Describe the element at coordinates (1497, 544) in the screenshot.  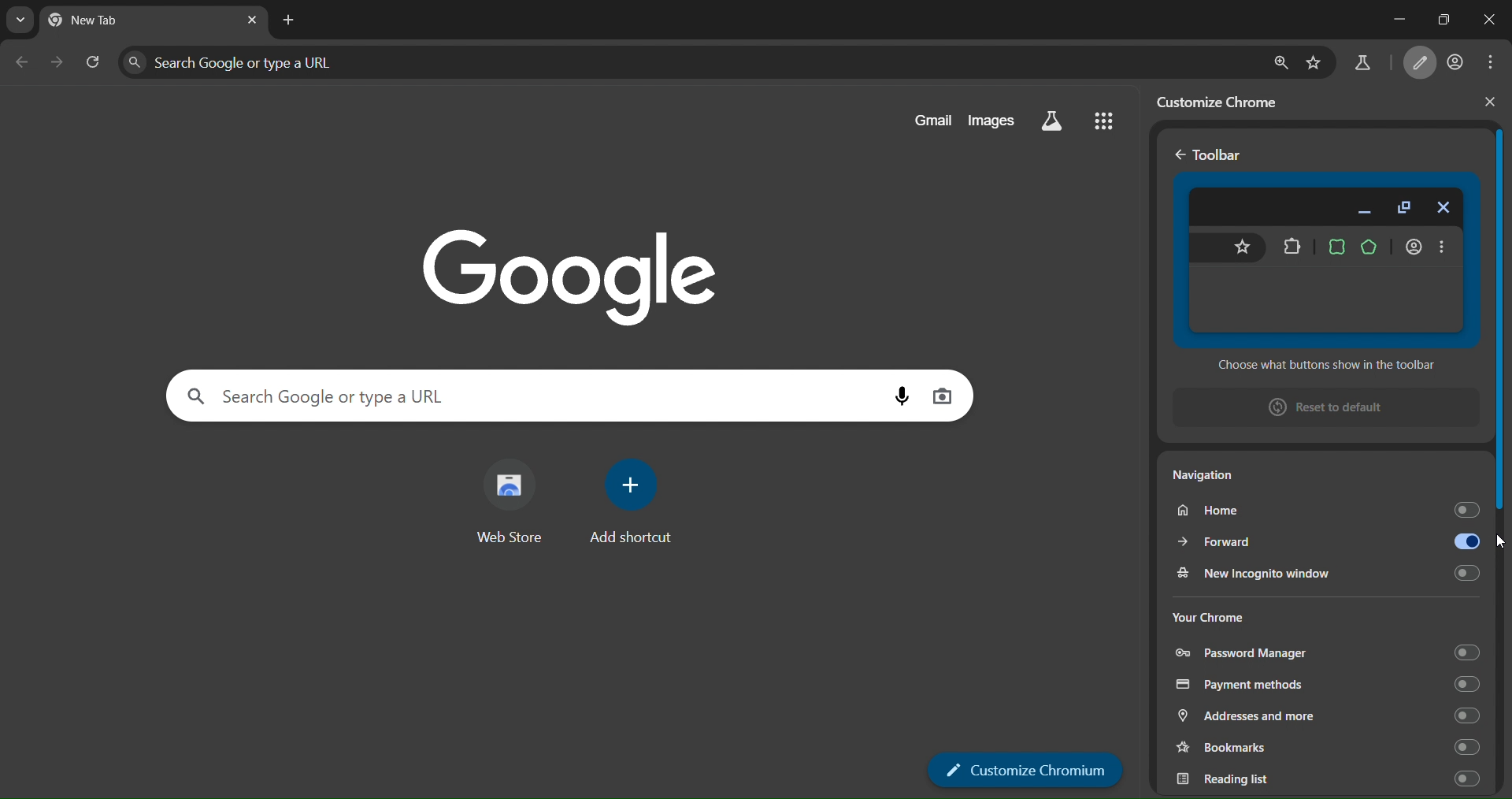
I see `cursor` at that location.